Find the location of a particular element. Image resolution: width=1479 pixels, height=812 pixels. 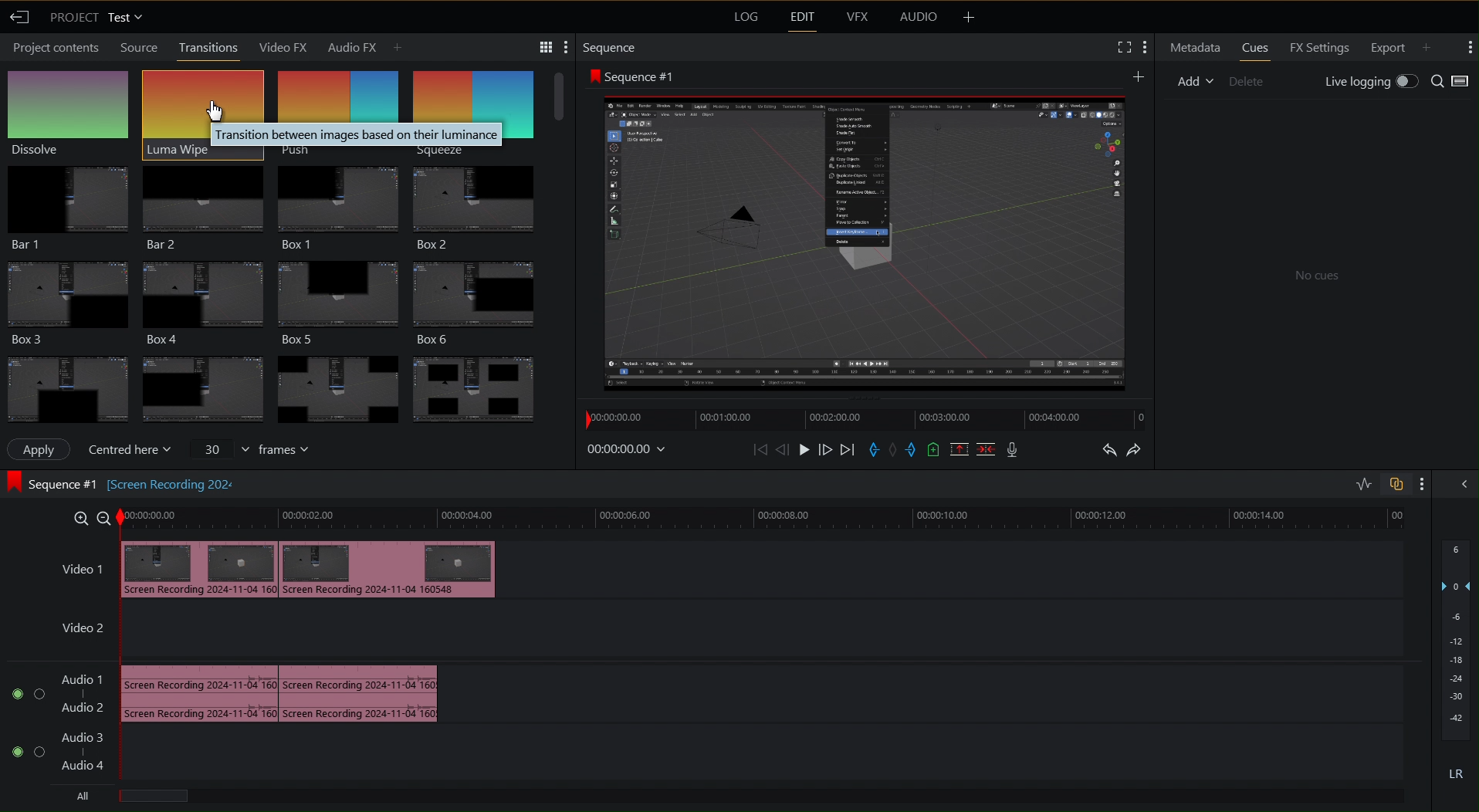

VFX is located at coordinates (856, 20).